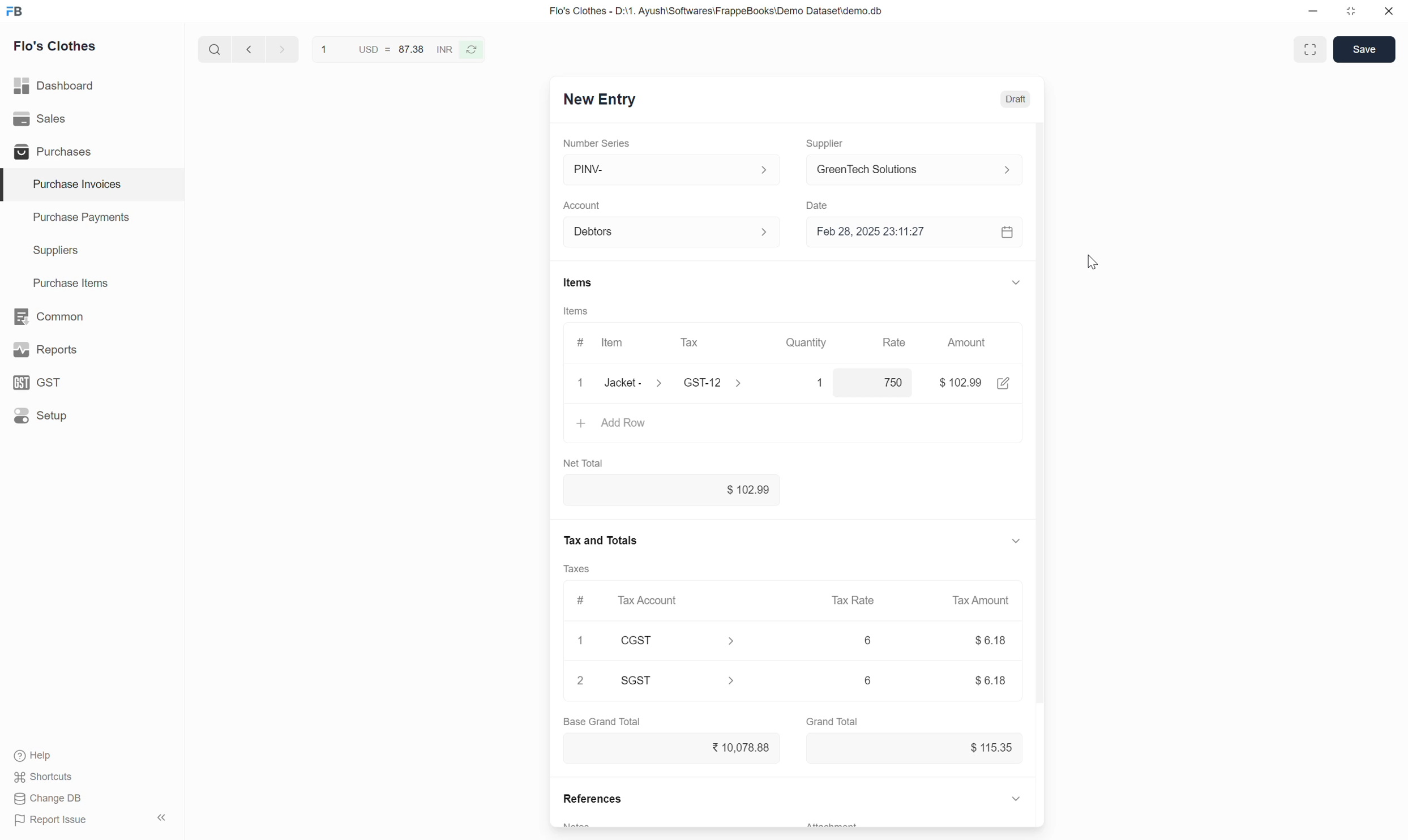 This screenshot has height=840, width=1408. Describe the element at coordinates (827, 144) in the screenshot. I see `Supplier` at that location.